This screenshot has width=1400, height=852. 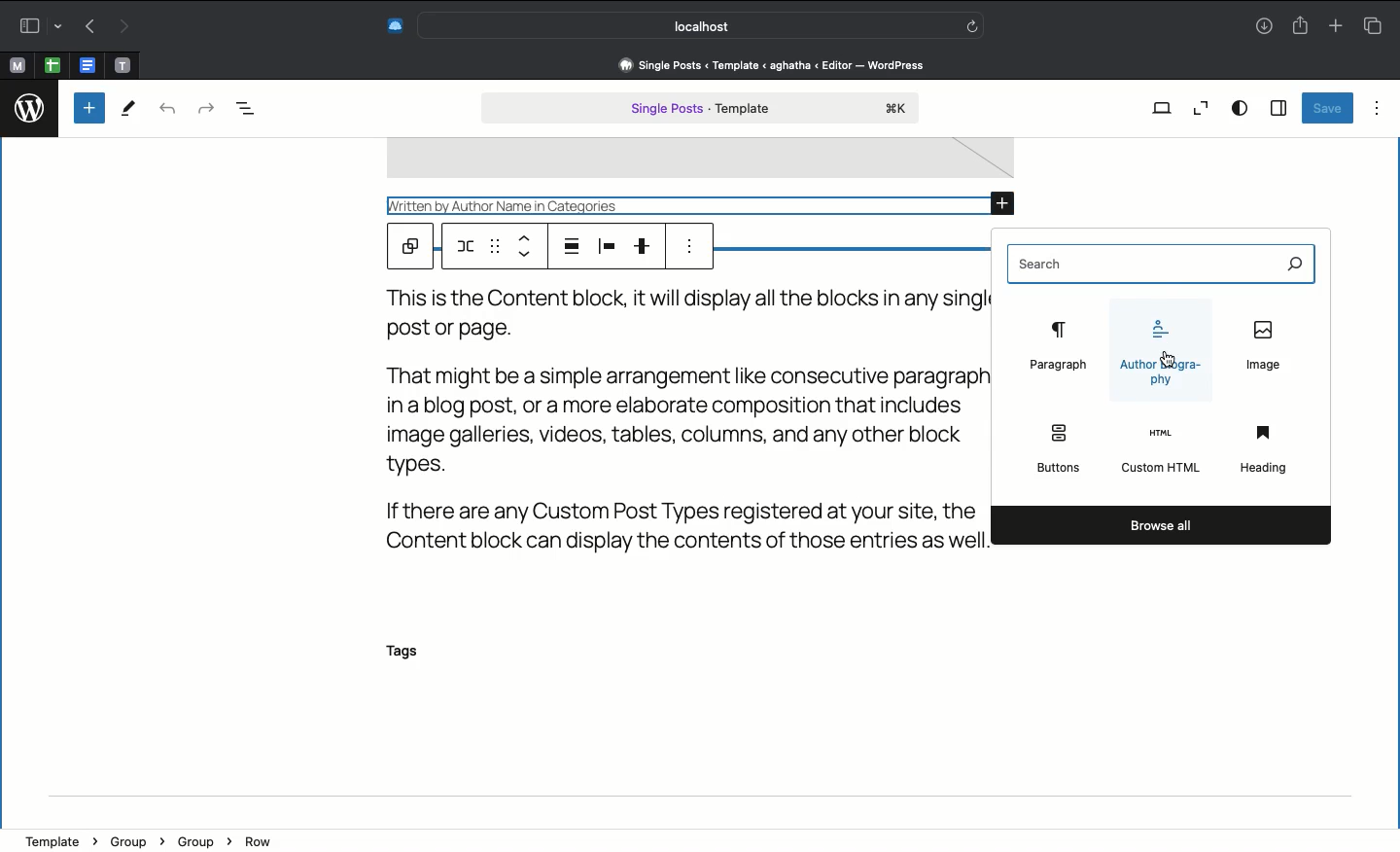 I want to click on Document overview, so click(x=256, y=109).